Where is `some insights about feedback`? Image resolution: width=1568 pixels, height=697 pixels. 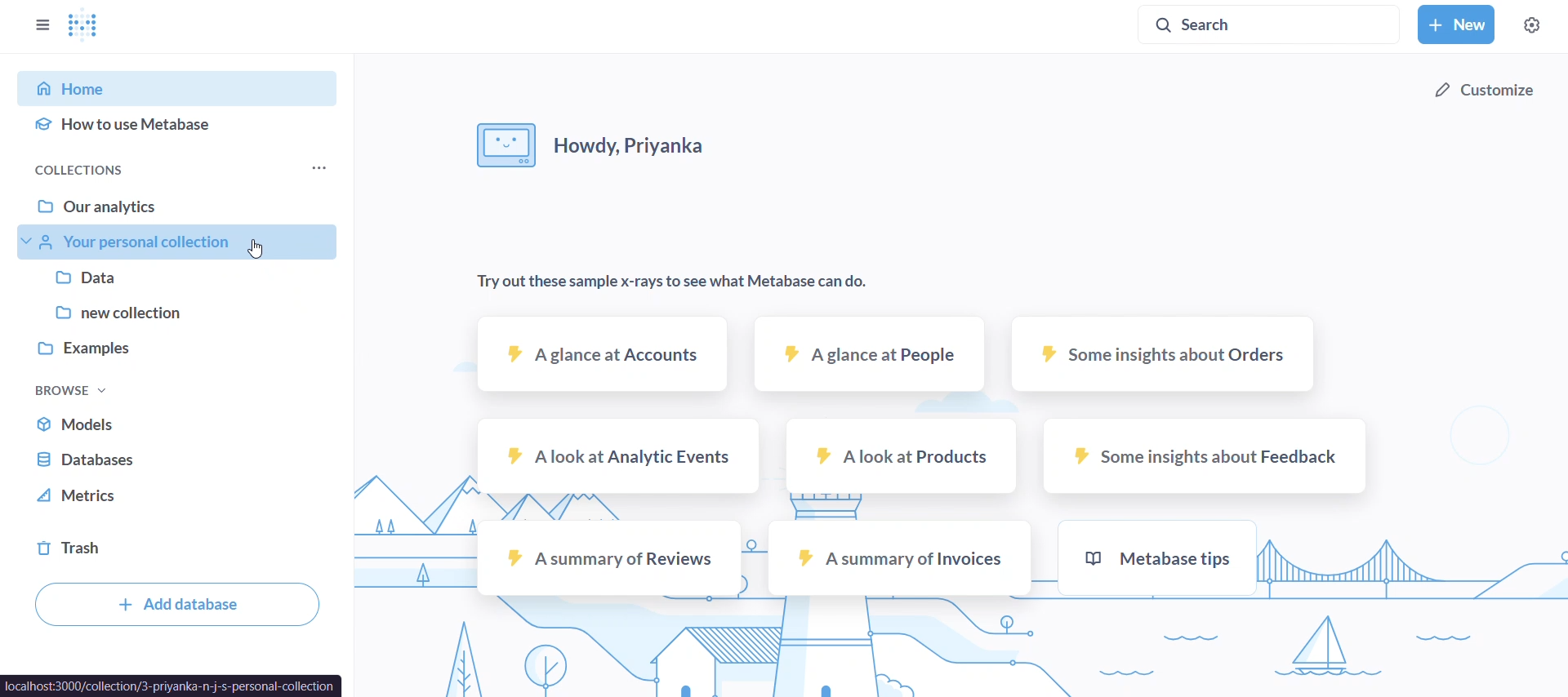 some insights about feedback is located at coordinates (1203, 456).